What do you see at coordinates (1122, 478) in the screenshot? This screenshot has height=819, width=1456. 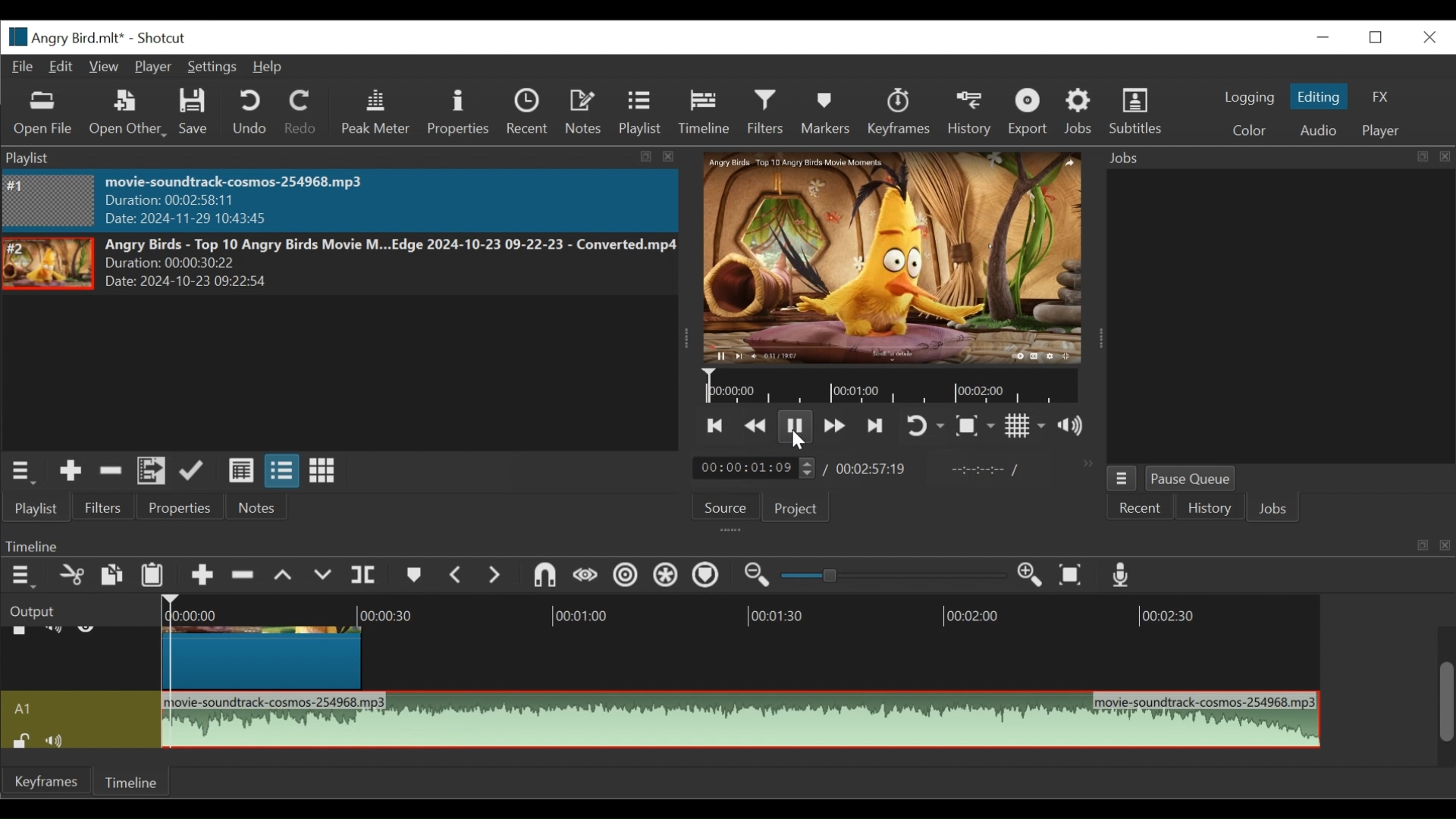 I see `Jobs Menu` at bounding box center [1122, 478].